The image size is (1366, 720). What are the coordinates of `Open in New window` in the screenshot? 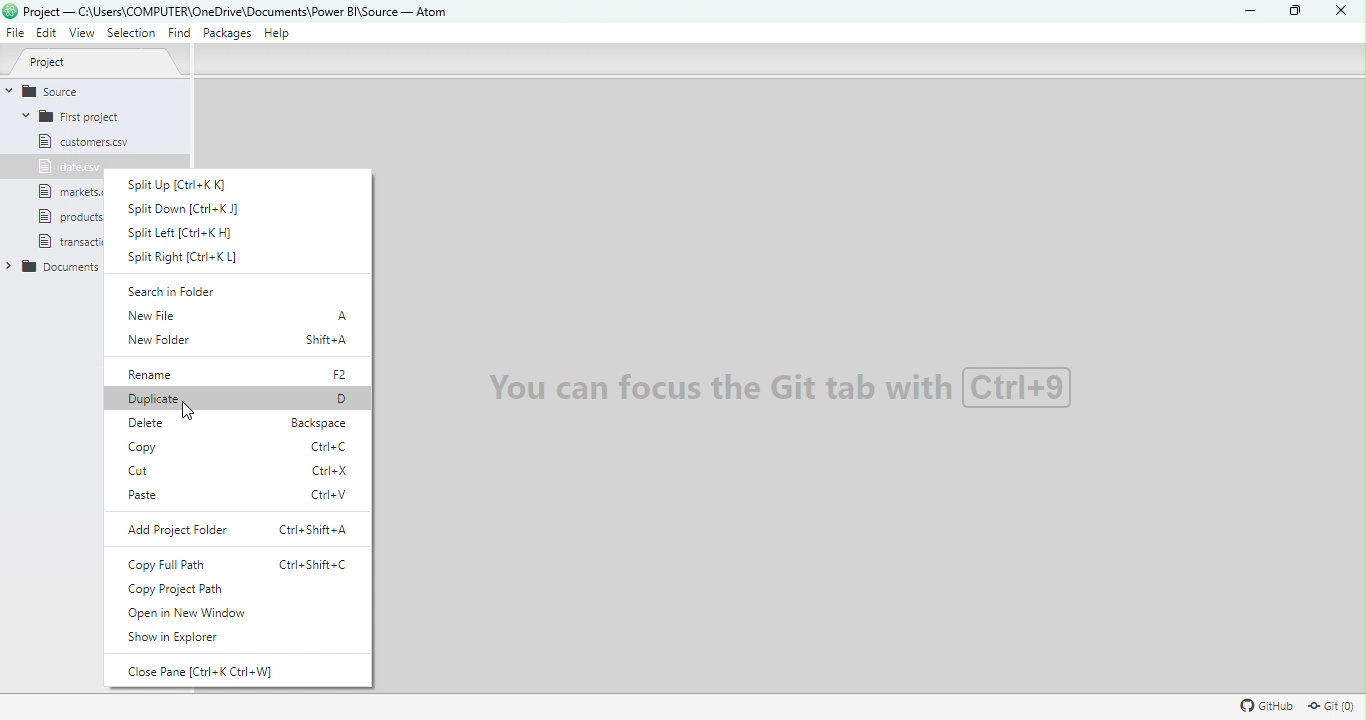 It's located at (191, 614).